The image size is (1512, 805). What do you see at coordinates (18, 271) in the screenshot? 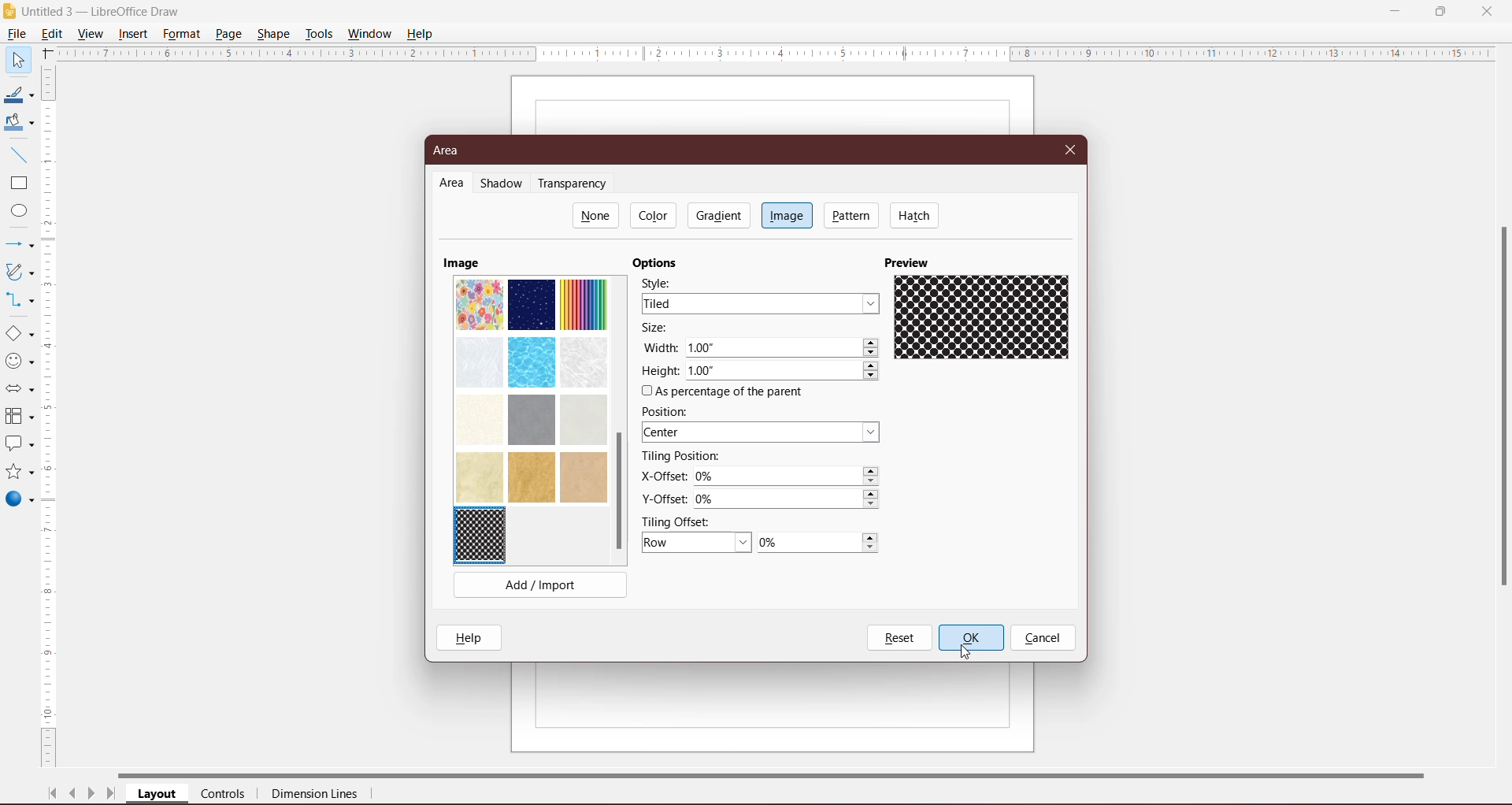
I see `Curves and Polygons` at bounding box center [18, 271].